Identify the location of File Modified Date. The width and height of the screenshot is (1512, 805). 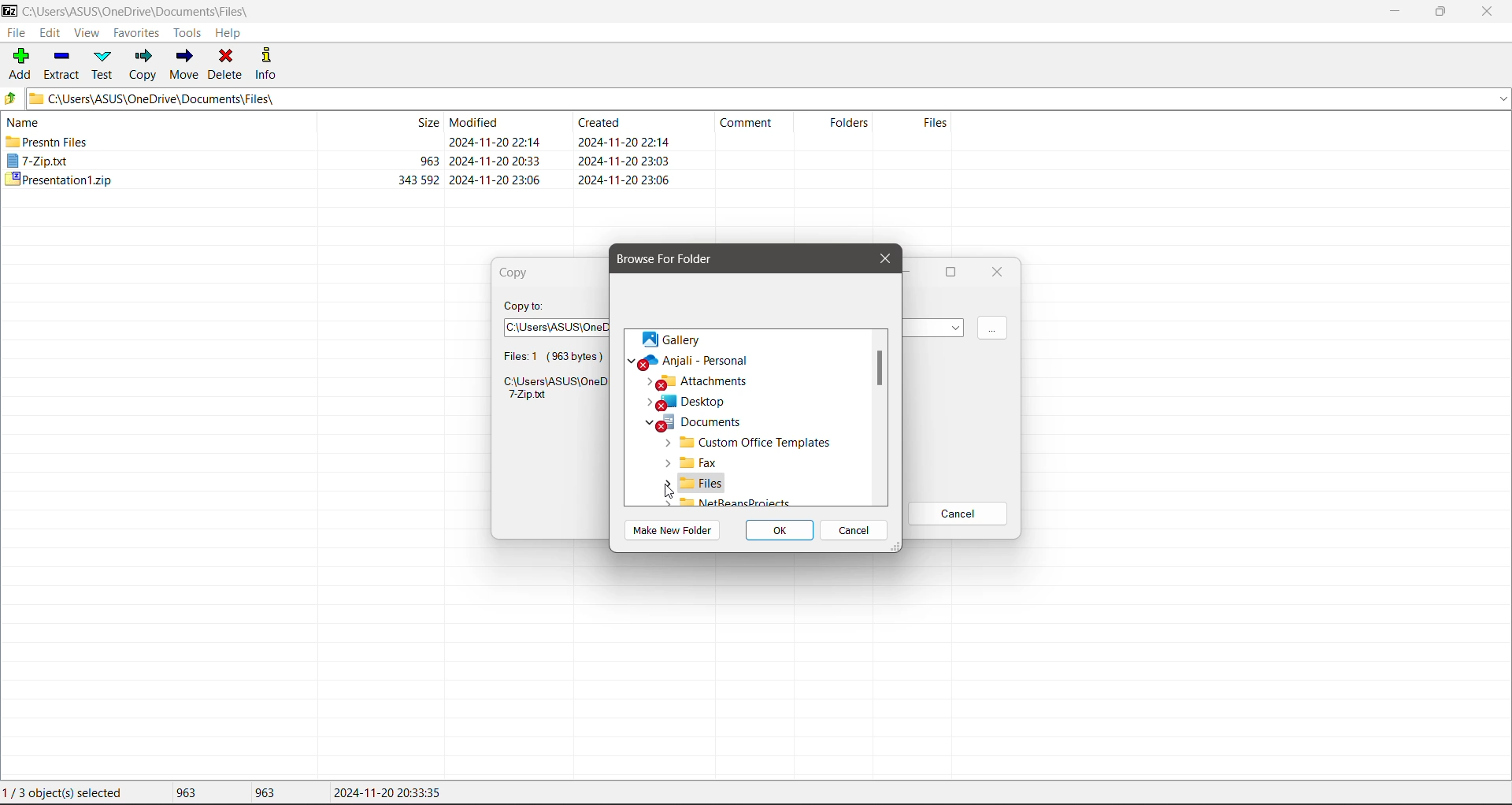
(498, 151).